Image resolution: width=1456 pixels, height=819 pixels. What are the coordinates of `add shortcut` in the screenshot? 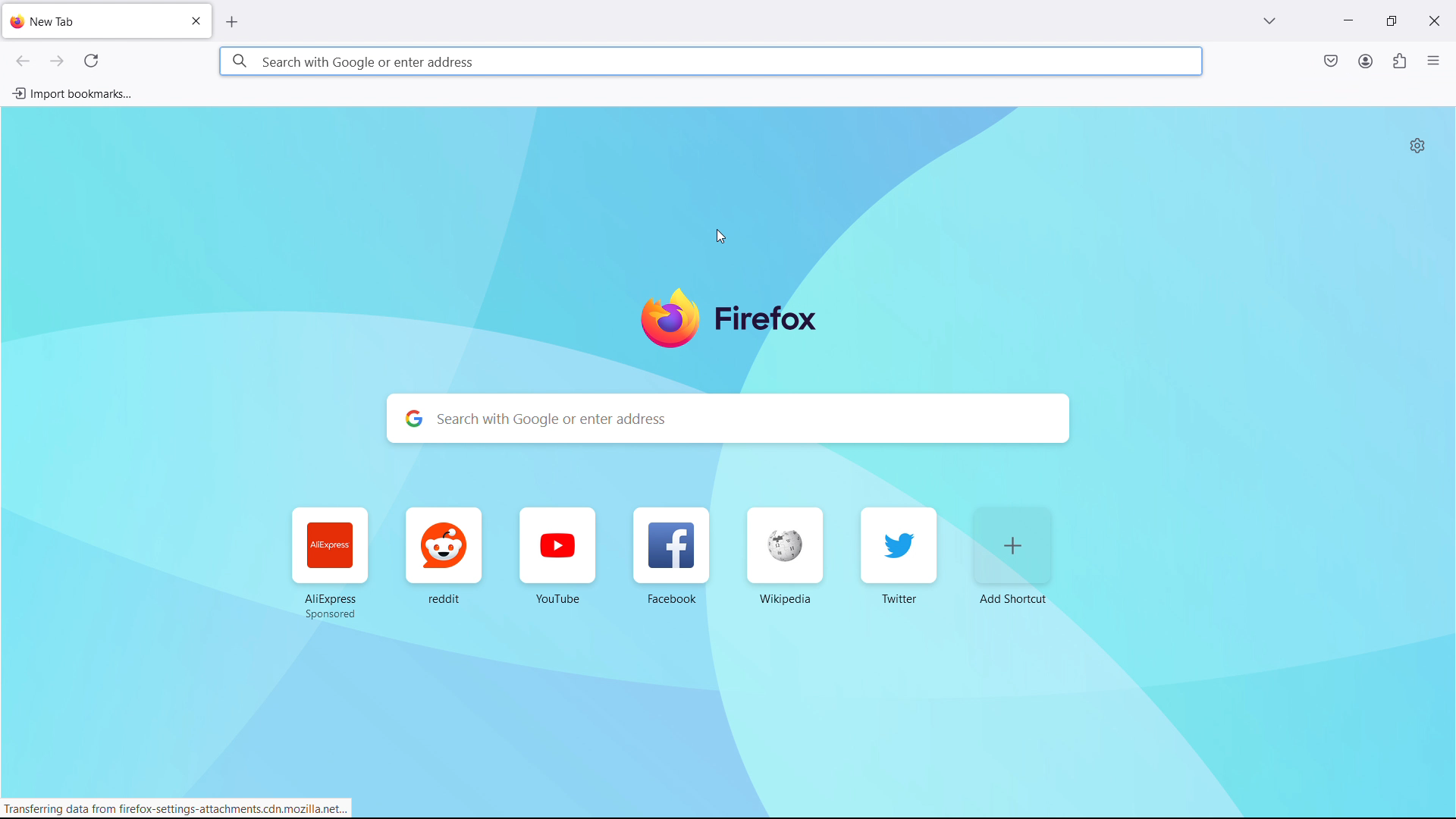 It's located at (1013, 556).